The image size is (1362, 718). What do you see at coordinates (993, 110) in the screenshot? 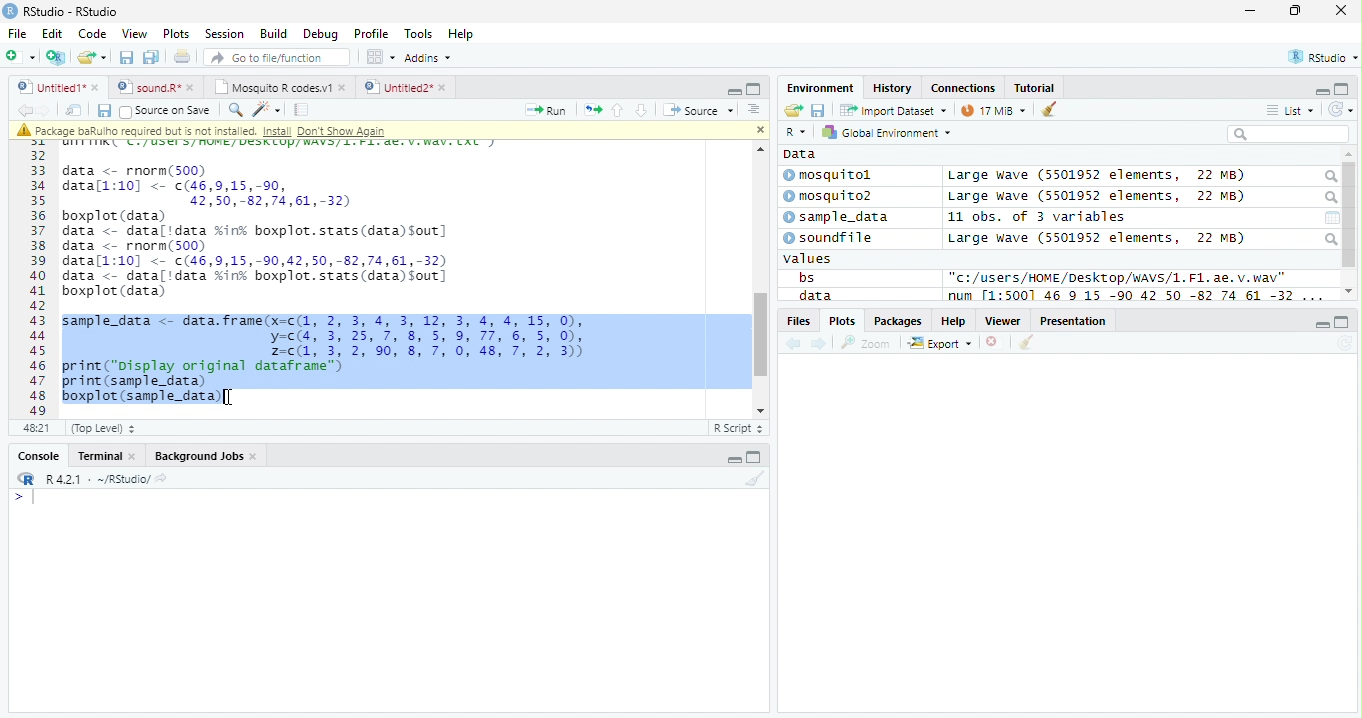
I see `17 MiB` at bounding box center [993, 110].